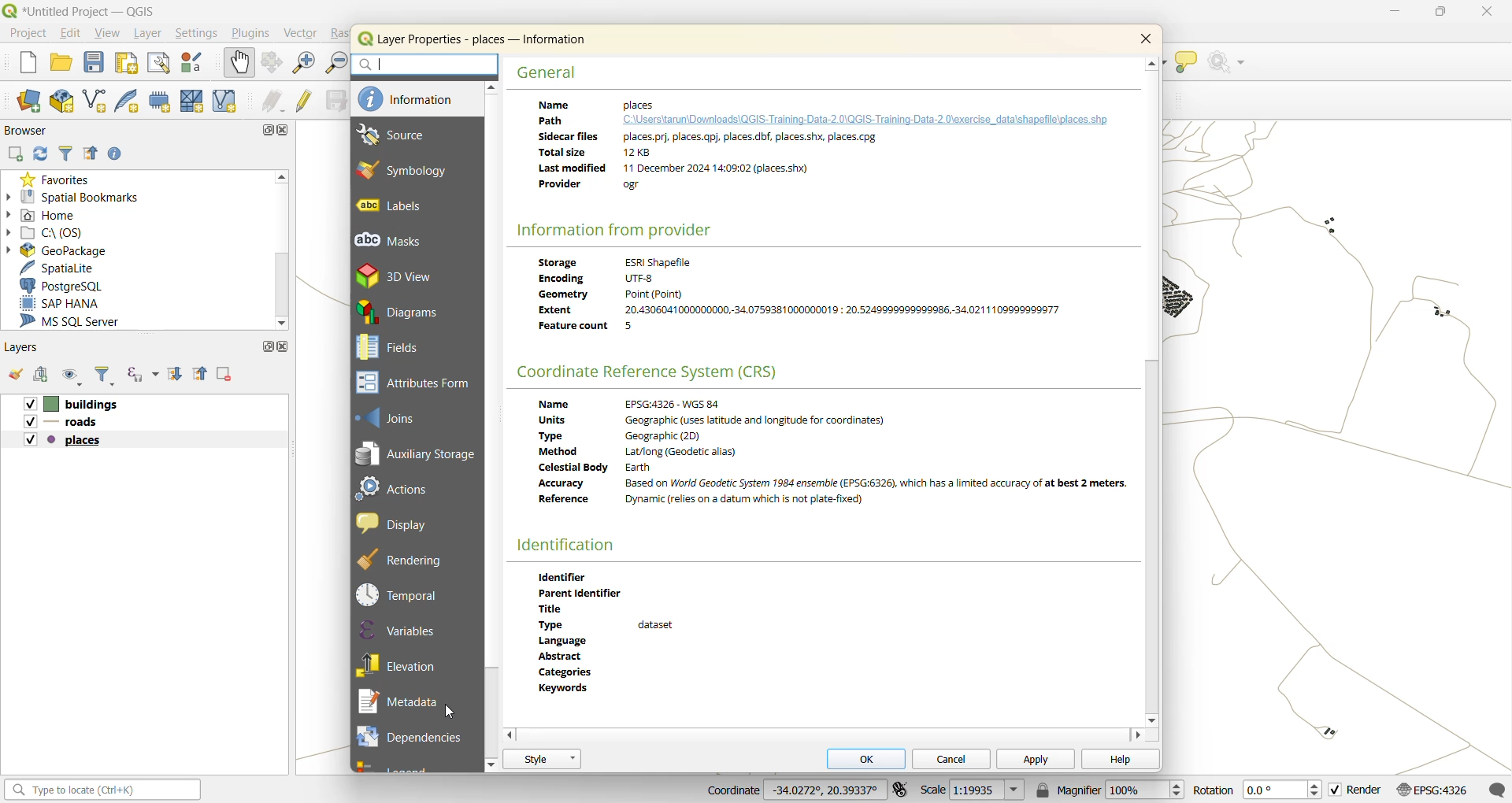  I want to click on enable properties, so click(119, 154).